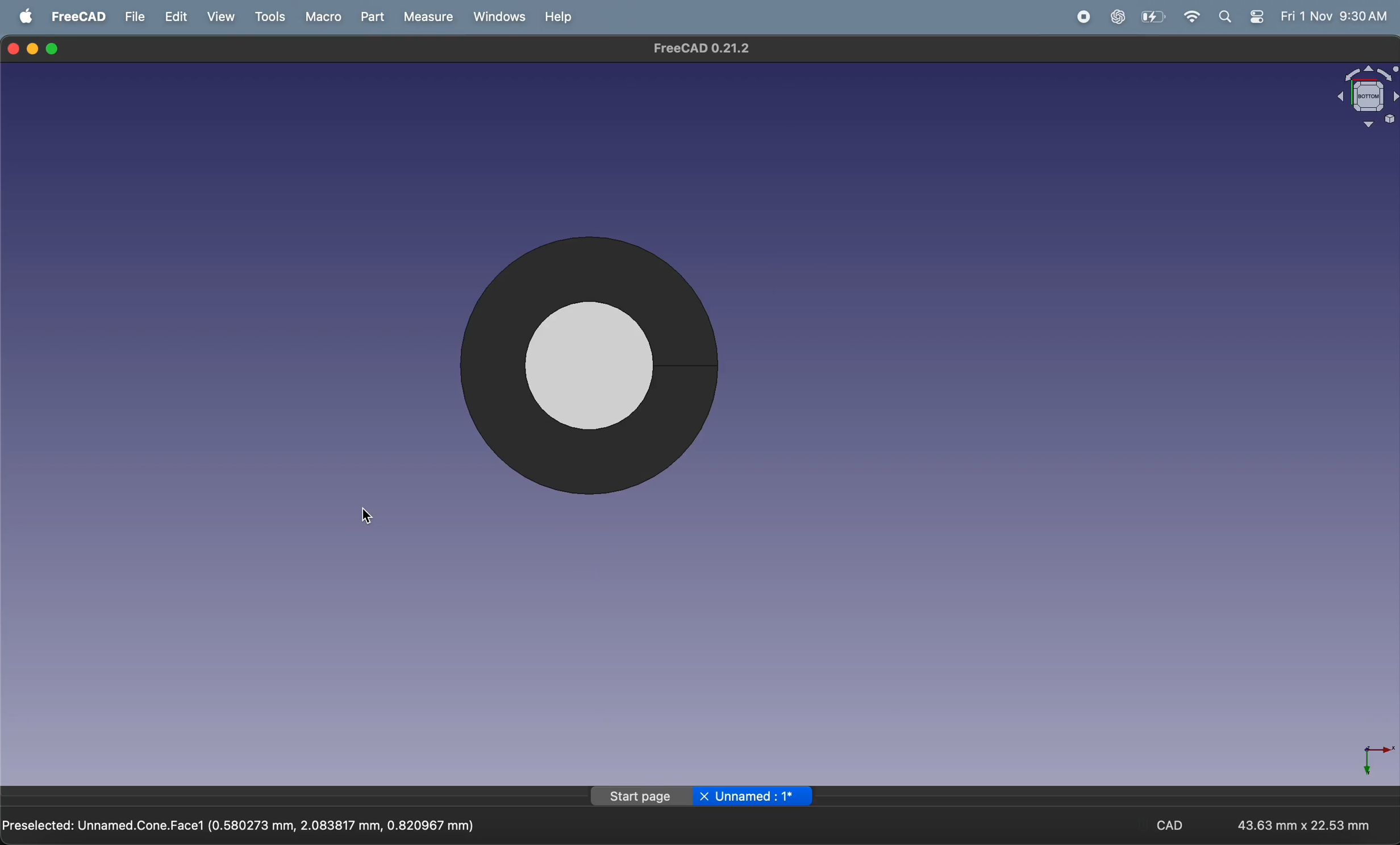 The image size is (1400, 845). Describe the element at coordinates (1116, 16) in the screenshot. I see `chatgpt` at that location.